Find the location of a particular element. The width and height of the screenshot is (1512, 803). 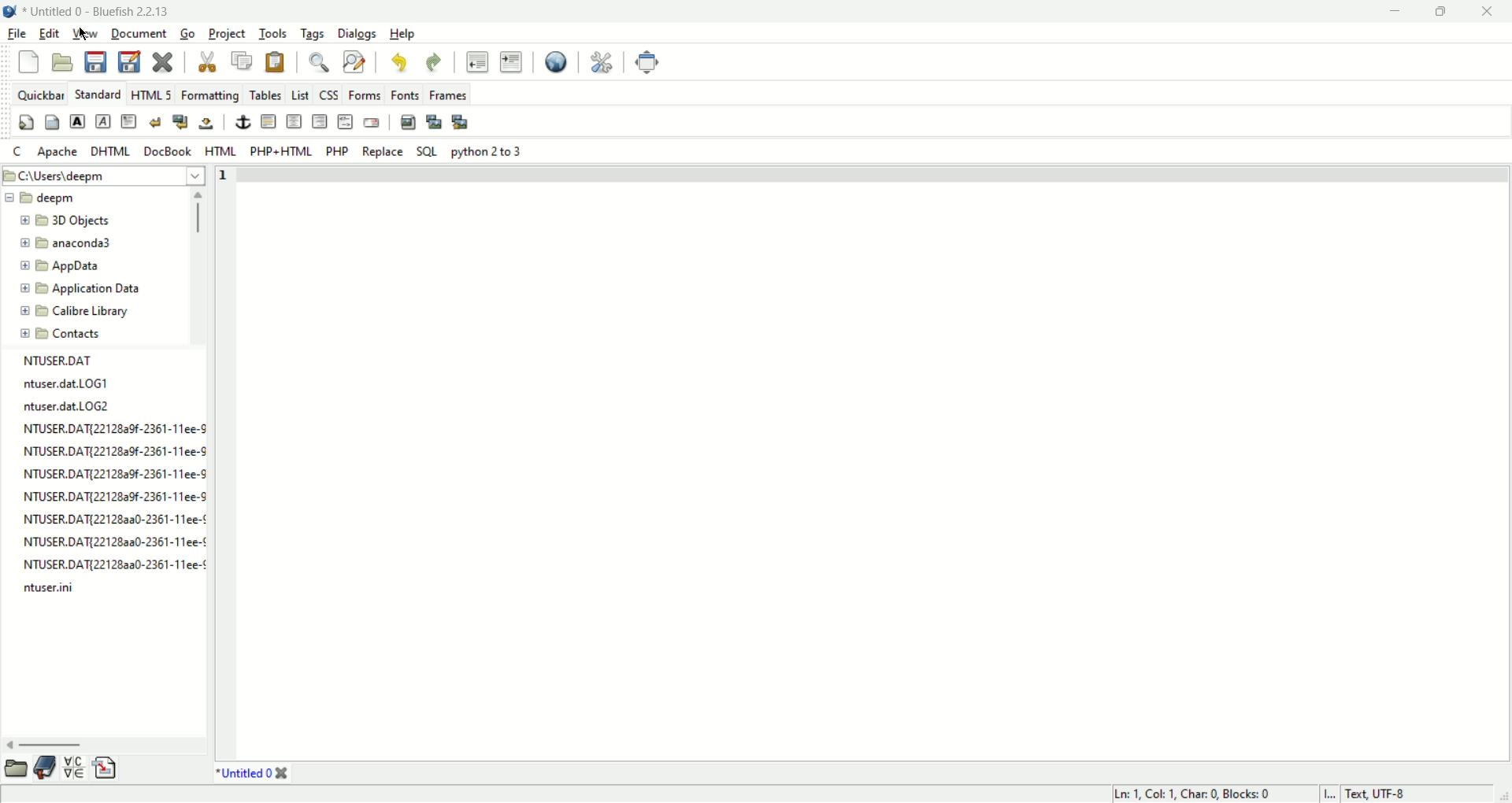

break is located at coordinates (156, 122).